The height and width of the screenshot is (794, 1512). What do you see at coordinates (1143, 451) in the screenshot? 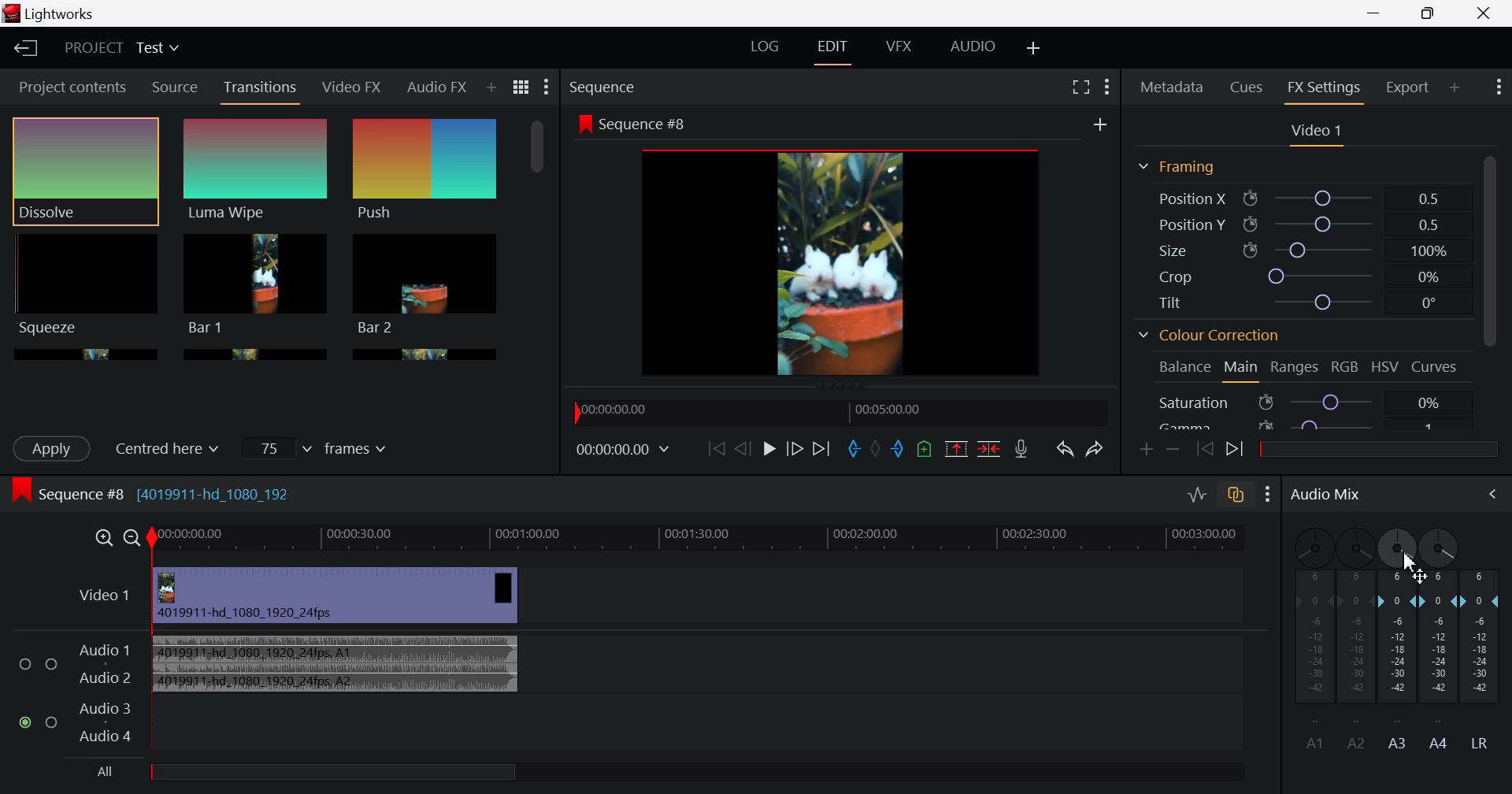
I see `Add keyframe` at bounding box center [1143, 451].